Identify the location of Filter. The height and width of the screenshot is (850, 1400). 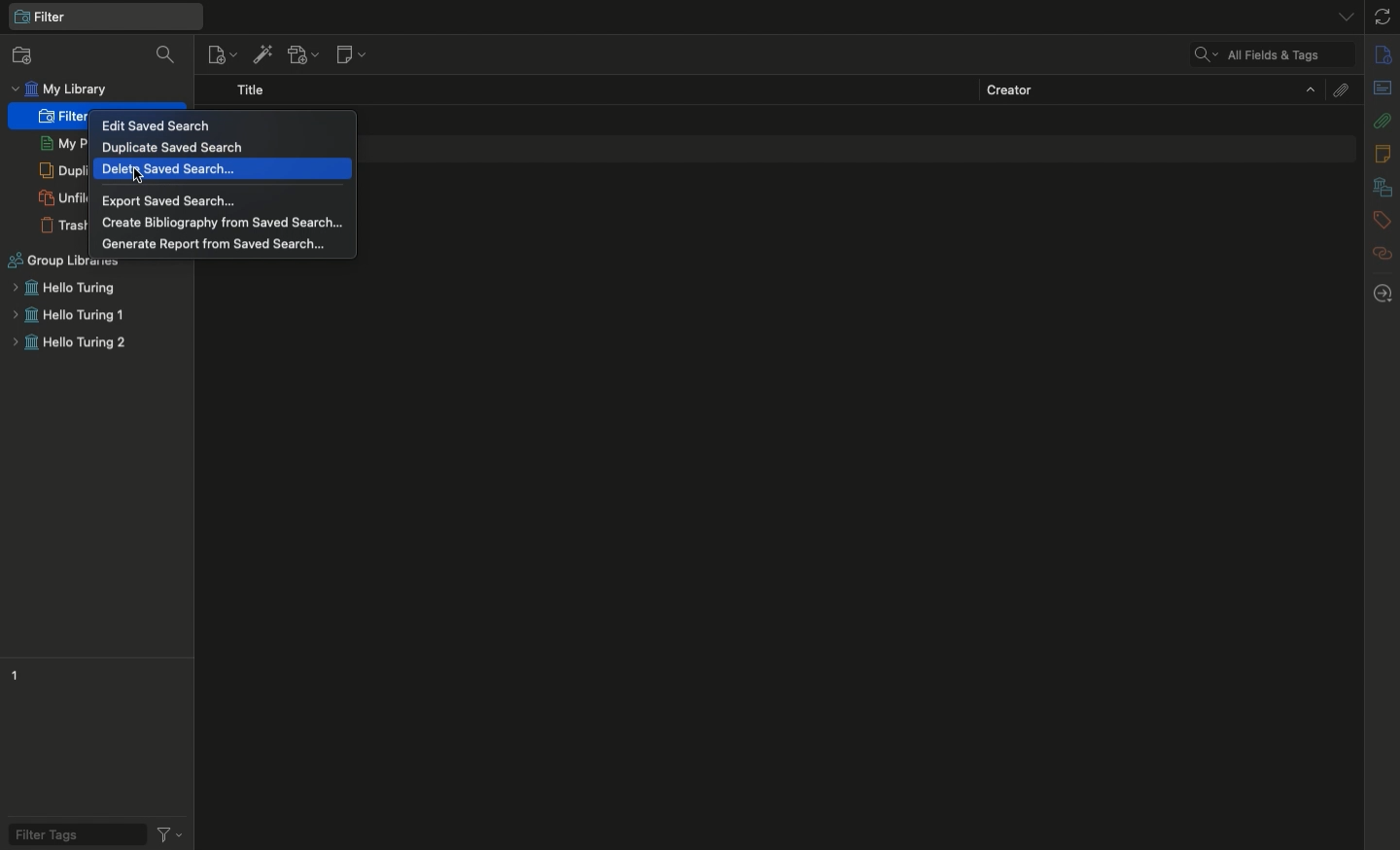
(58, 116).